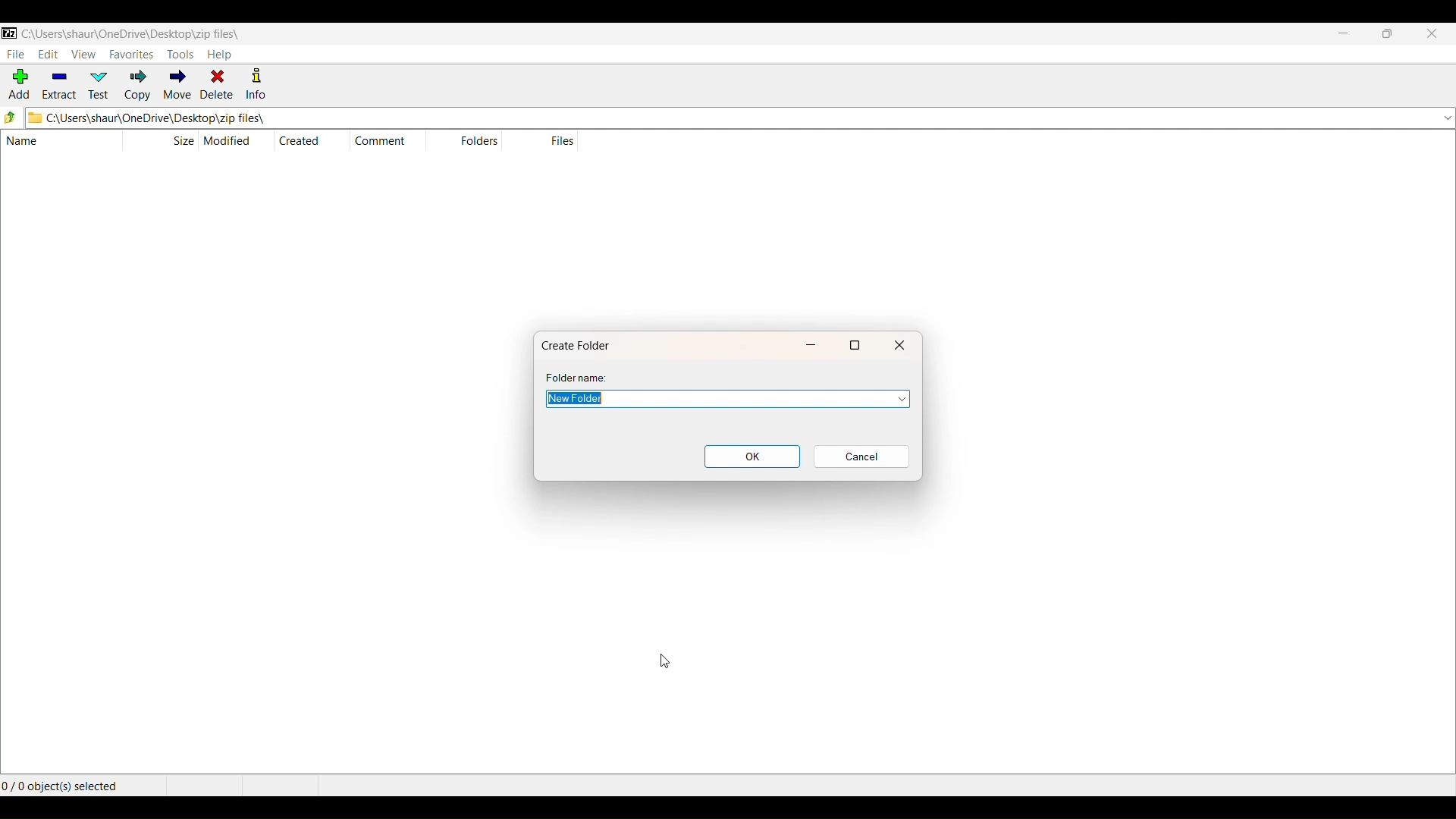 Image resolution: width=1456 pixels, height=819 pixels. I want to click on MAXIMIZE, so click(1387, 35).